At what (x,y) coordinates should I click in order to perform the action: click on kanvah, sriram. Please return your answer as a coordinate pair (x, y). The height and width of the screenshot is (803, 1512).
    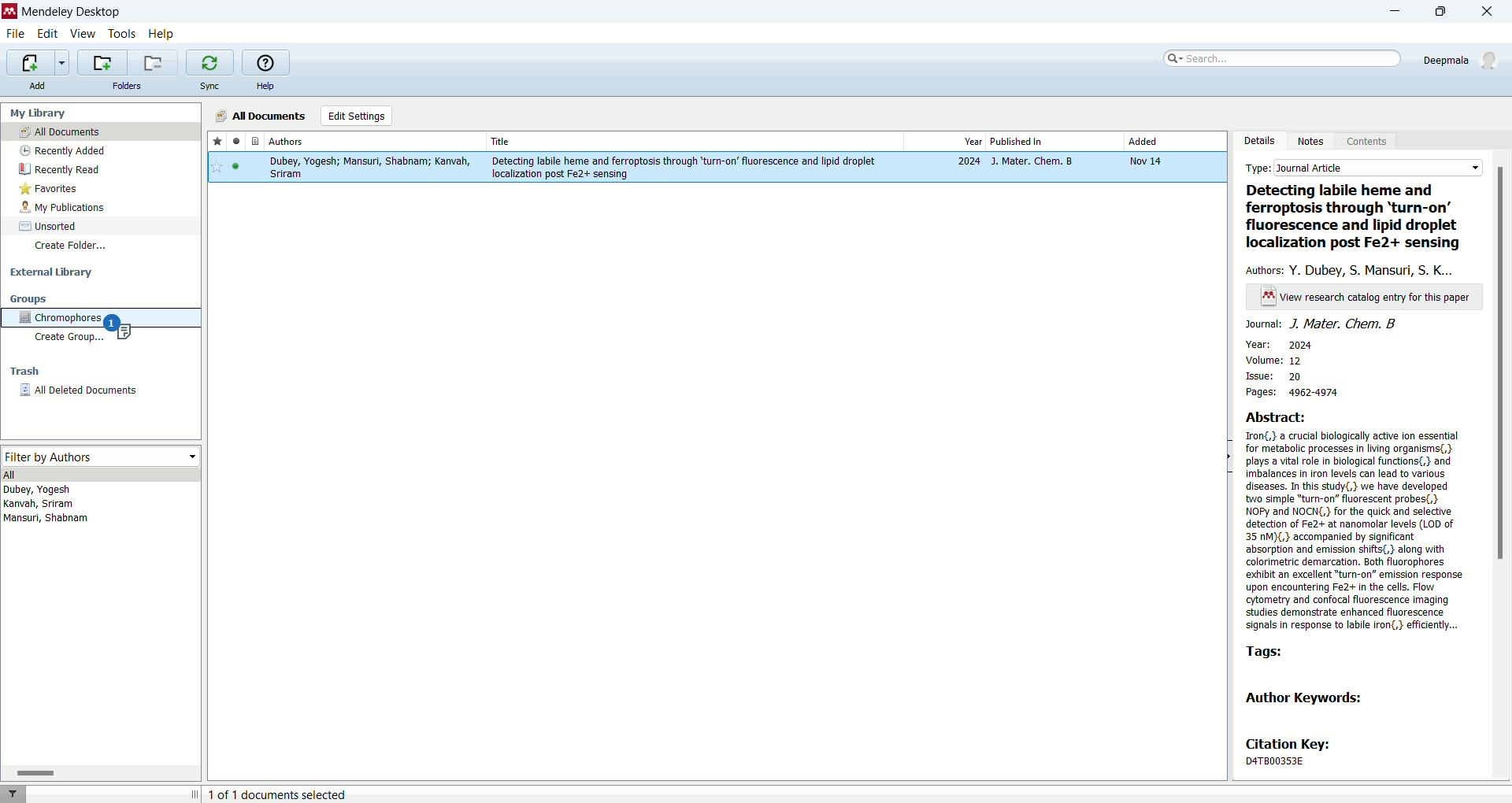
    Looking at the image, I should click on (39, 505).